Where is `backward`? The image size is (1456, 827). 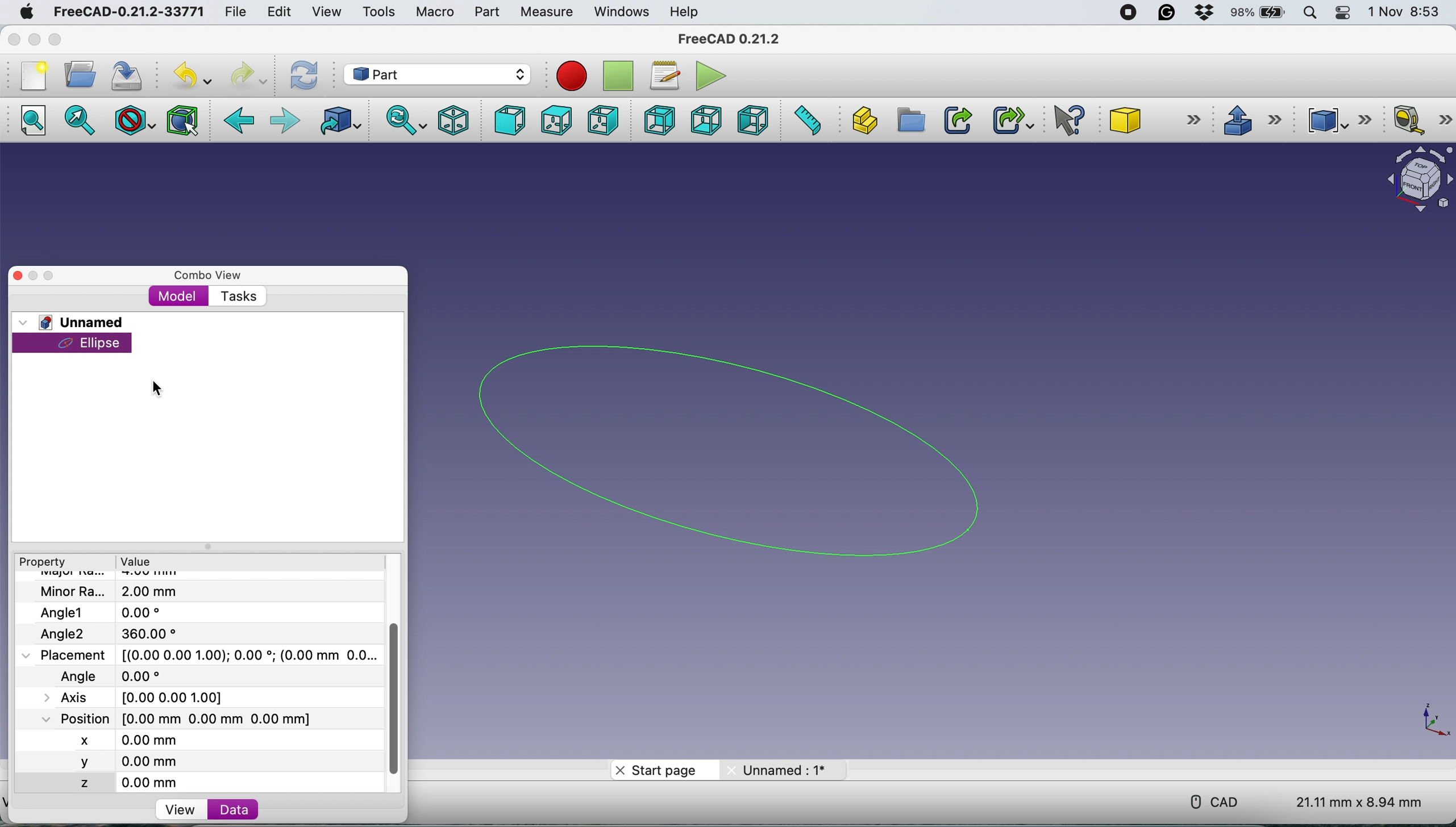 backward is located at coordinates (243, 122).